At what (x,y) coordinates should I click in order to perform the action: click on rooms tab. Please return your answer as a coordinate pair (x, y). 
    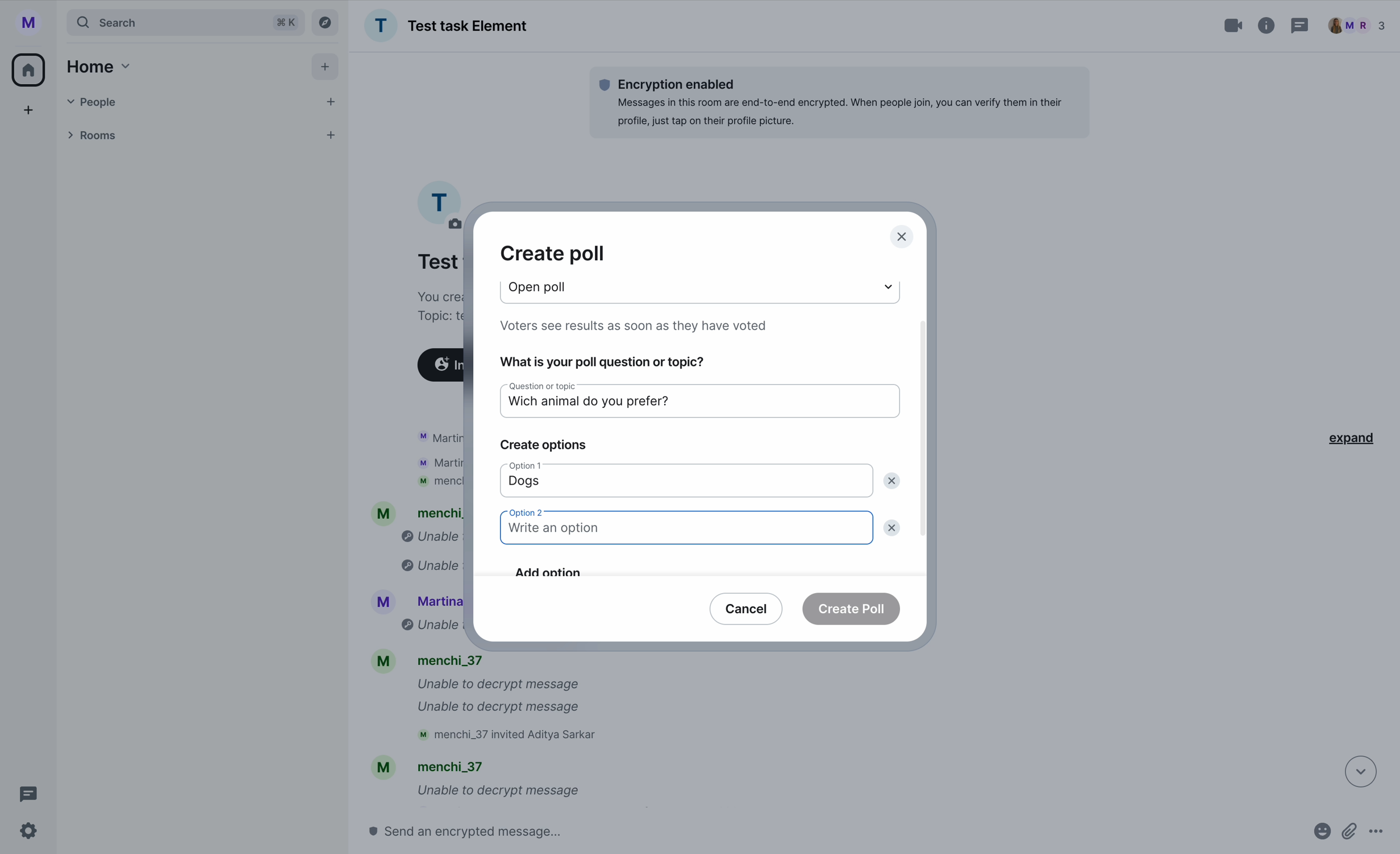
    Looking at the image, I should click on (198, 137).